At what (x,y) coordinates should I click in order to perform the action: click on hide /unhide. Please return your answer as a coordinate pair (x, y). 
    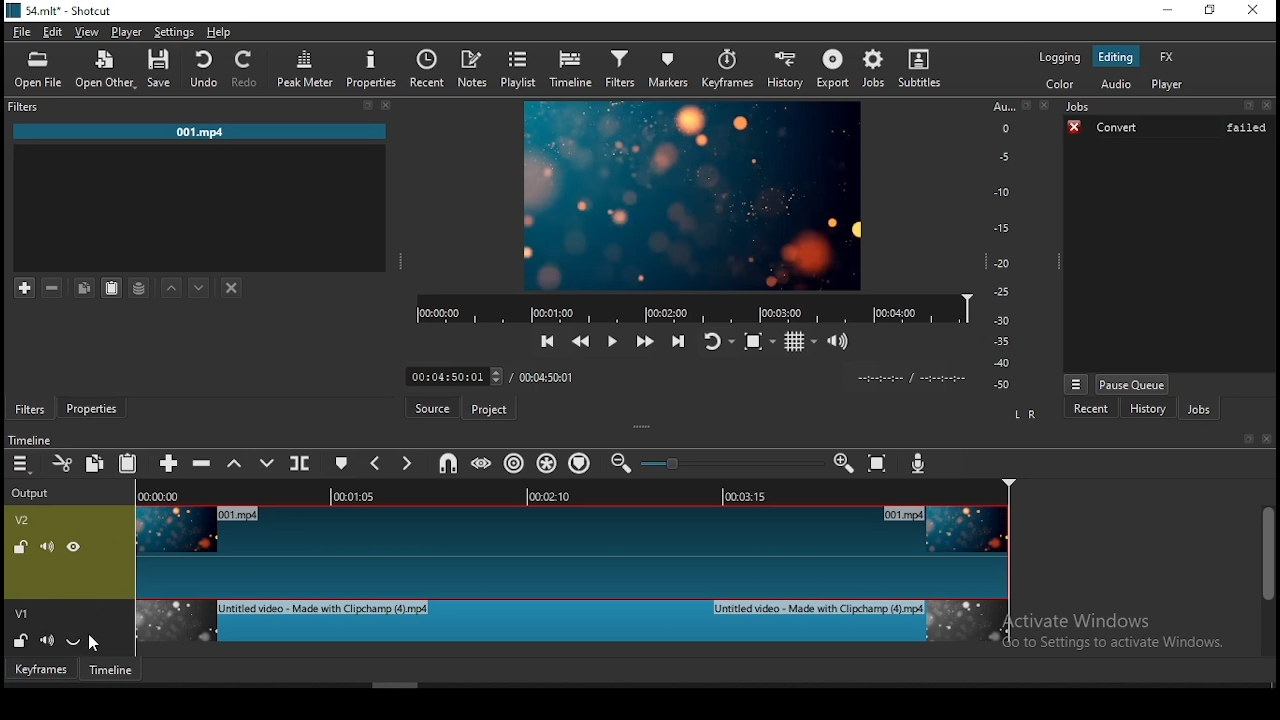
    Looking at the image, I should click on (76, 639).